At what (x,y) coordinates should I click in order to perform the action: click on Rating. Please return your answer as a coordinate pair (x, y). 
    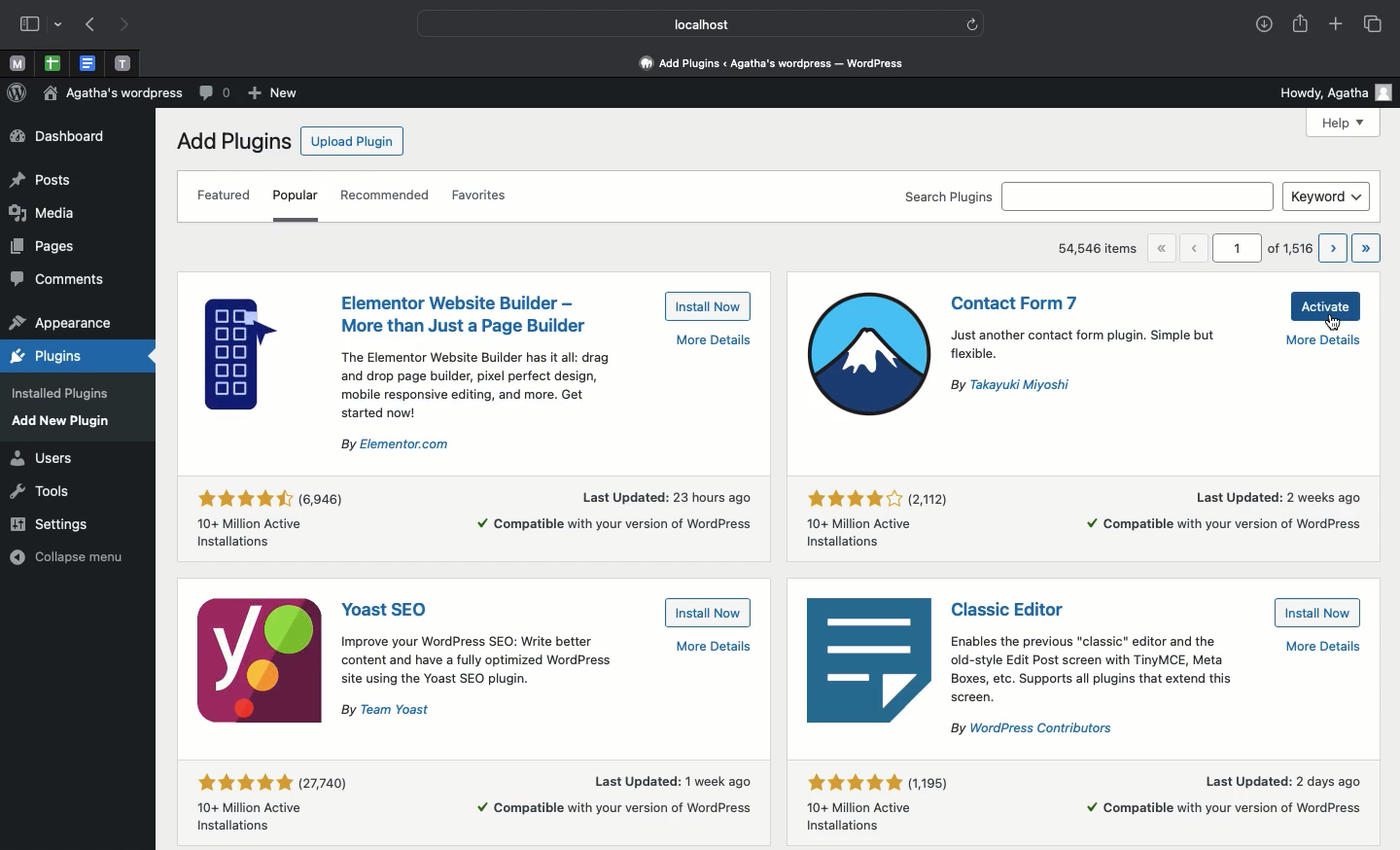
    Looking at the image, I should click on (875, 804).